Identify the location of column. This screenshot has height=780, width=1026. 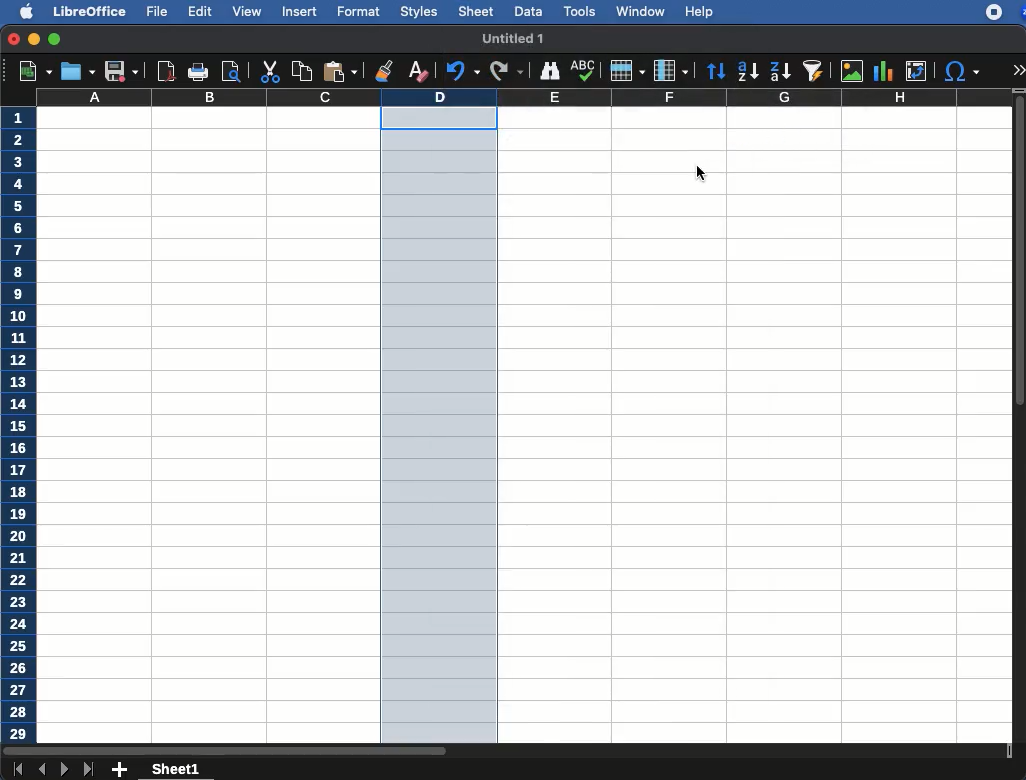
(524, 98).